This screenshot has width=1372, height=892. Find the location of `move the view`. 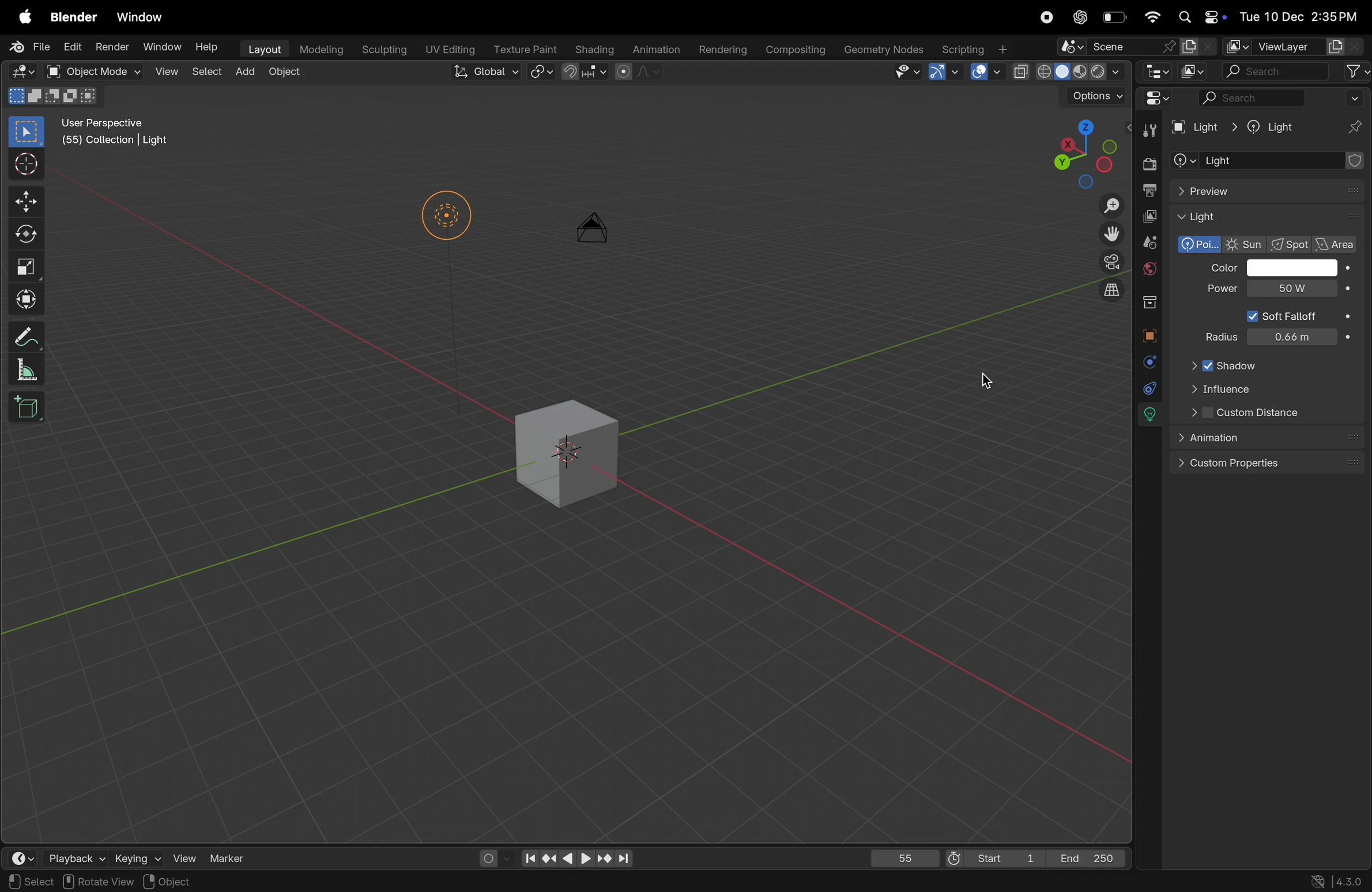

move the view is located at coordinates (1112, 235).